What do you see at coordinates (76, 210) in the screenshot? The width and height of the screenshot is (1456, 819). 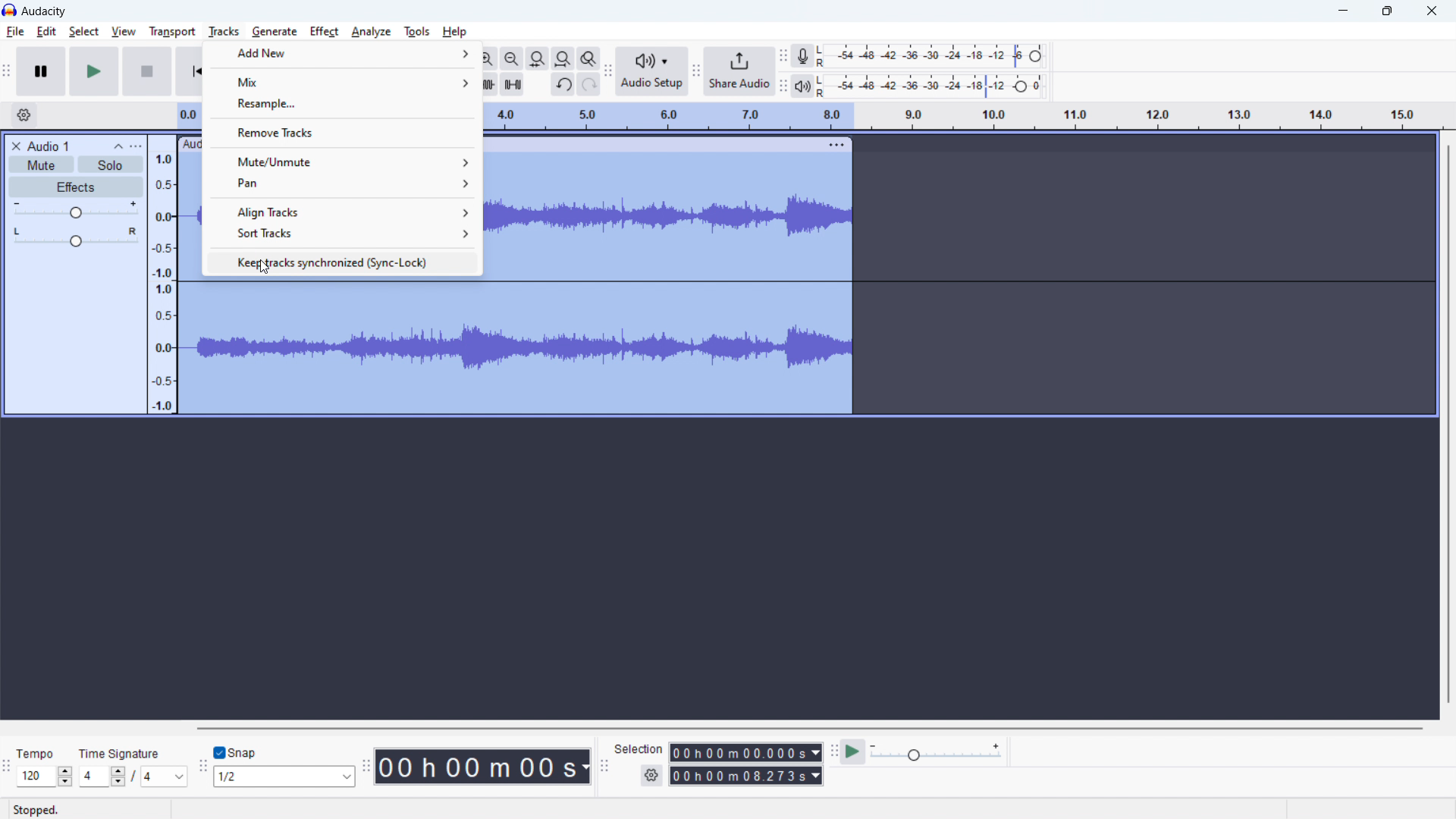 I see `gain` at bounding box center [76, 210].